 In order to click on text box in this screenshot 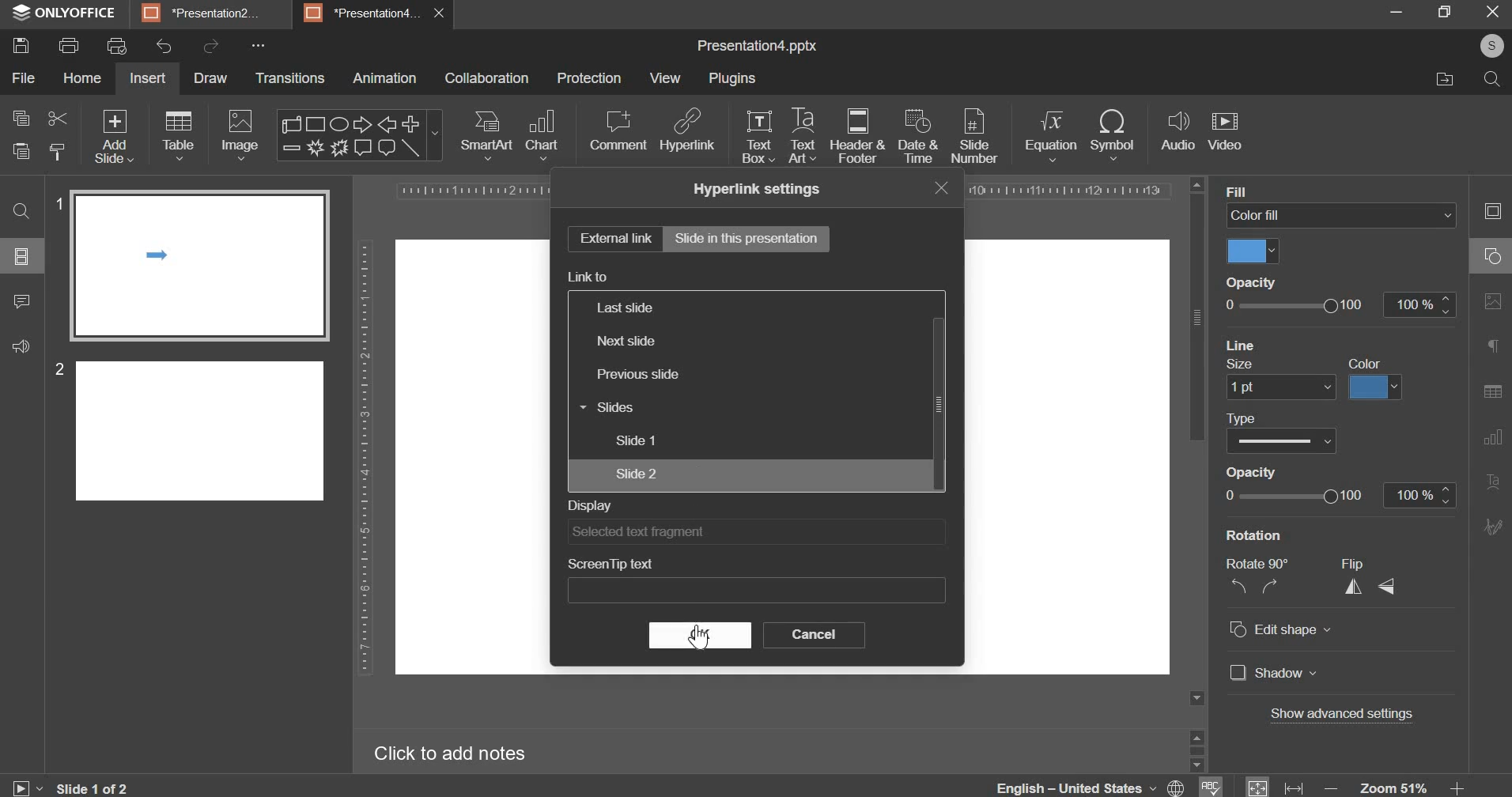, I will do `click(760, 138)`.